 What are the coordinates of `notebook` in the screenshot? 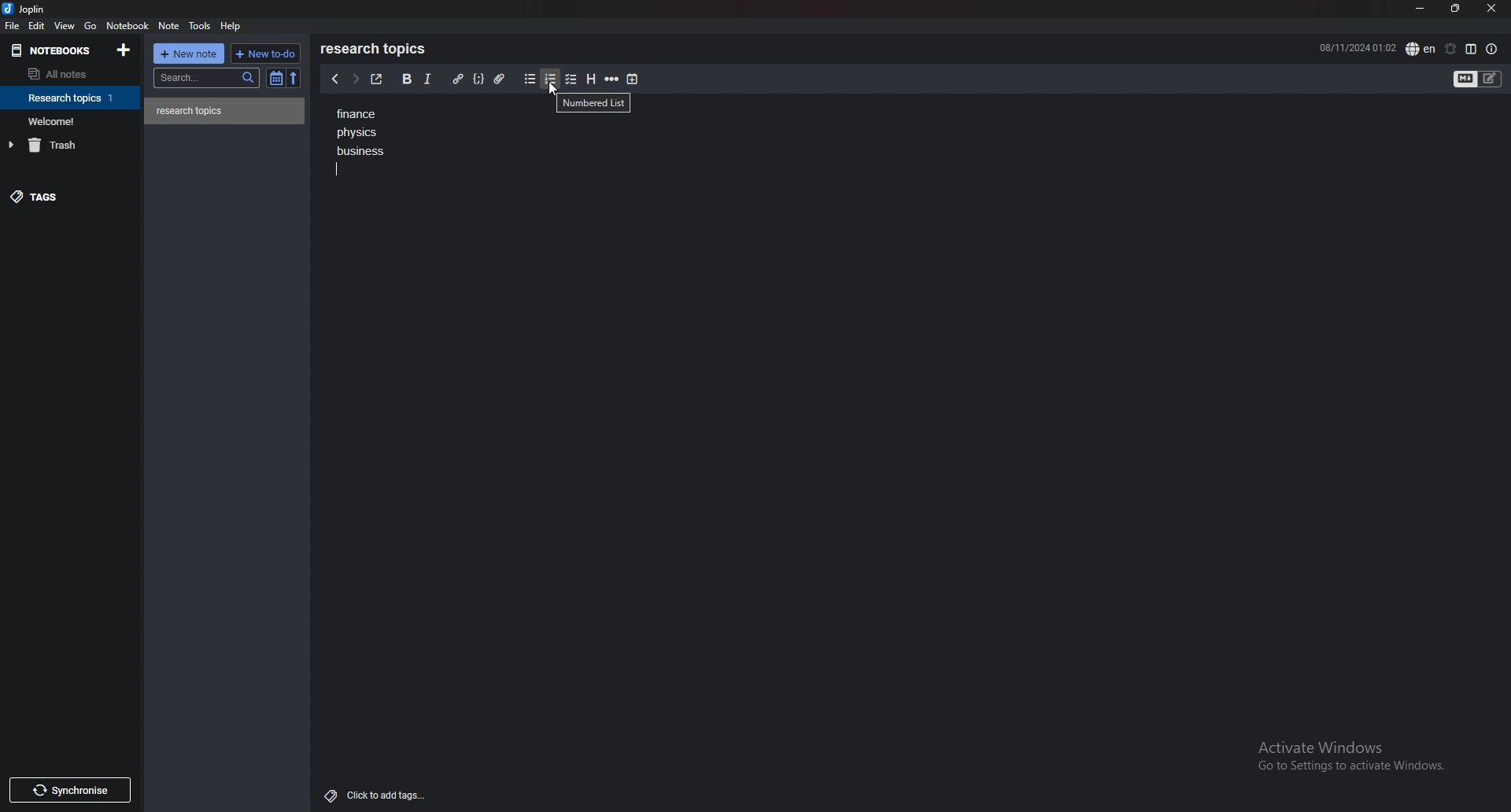 It's located at (129, 26).